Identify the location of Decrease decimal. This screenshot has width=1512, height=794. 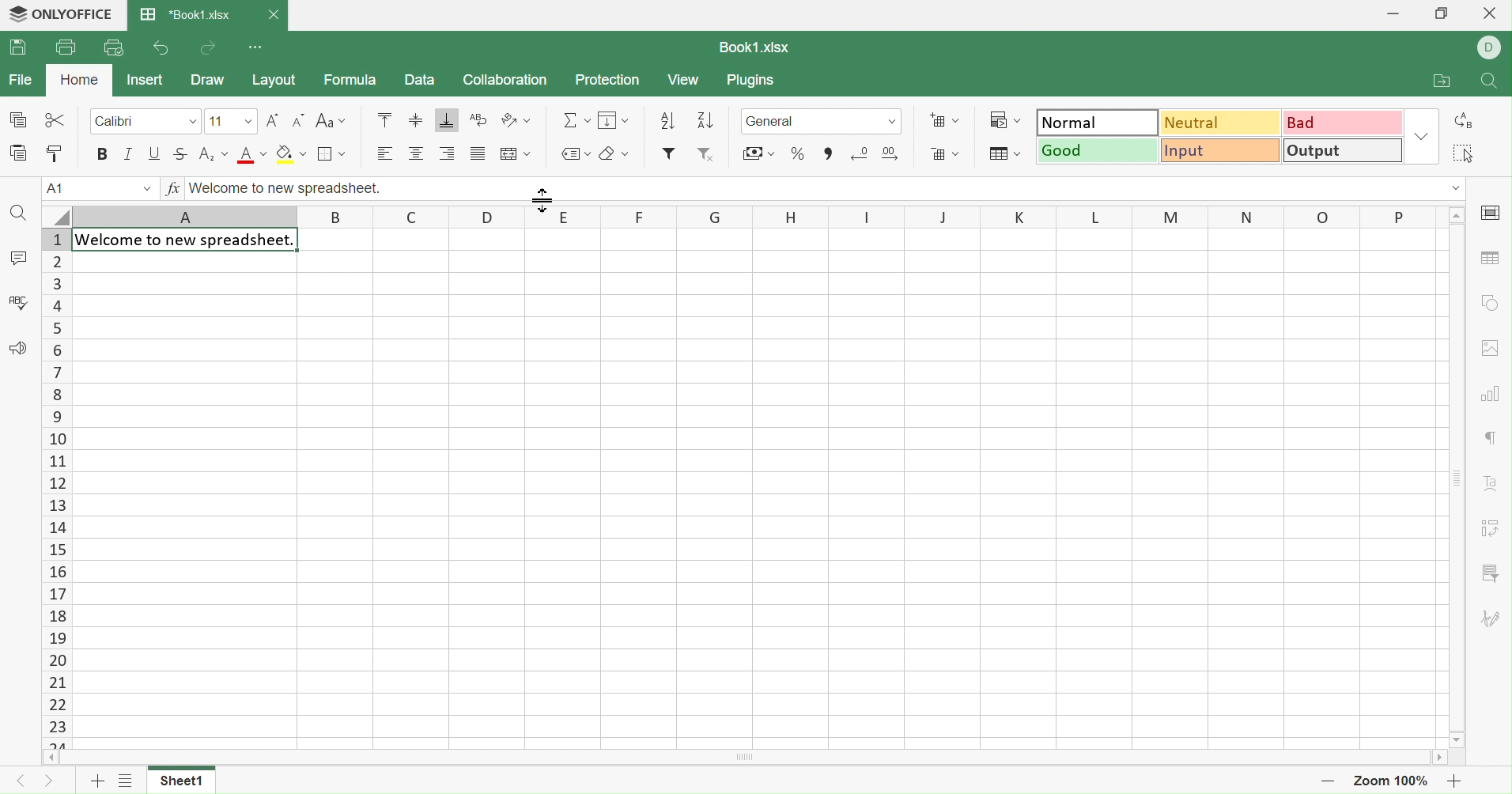
(860, 152).